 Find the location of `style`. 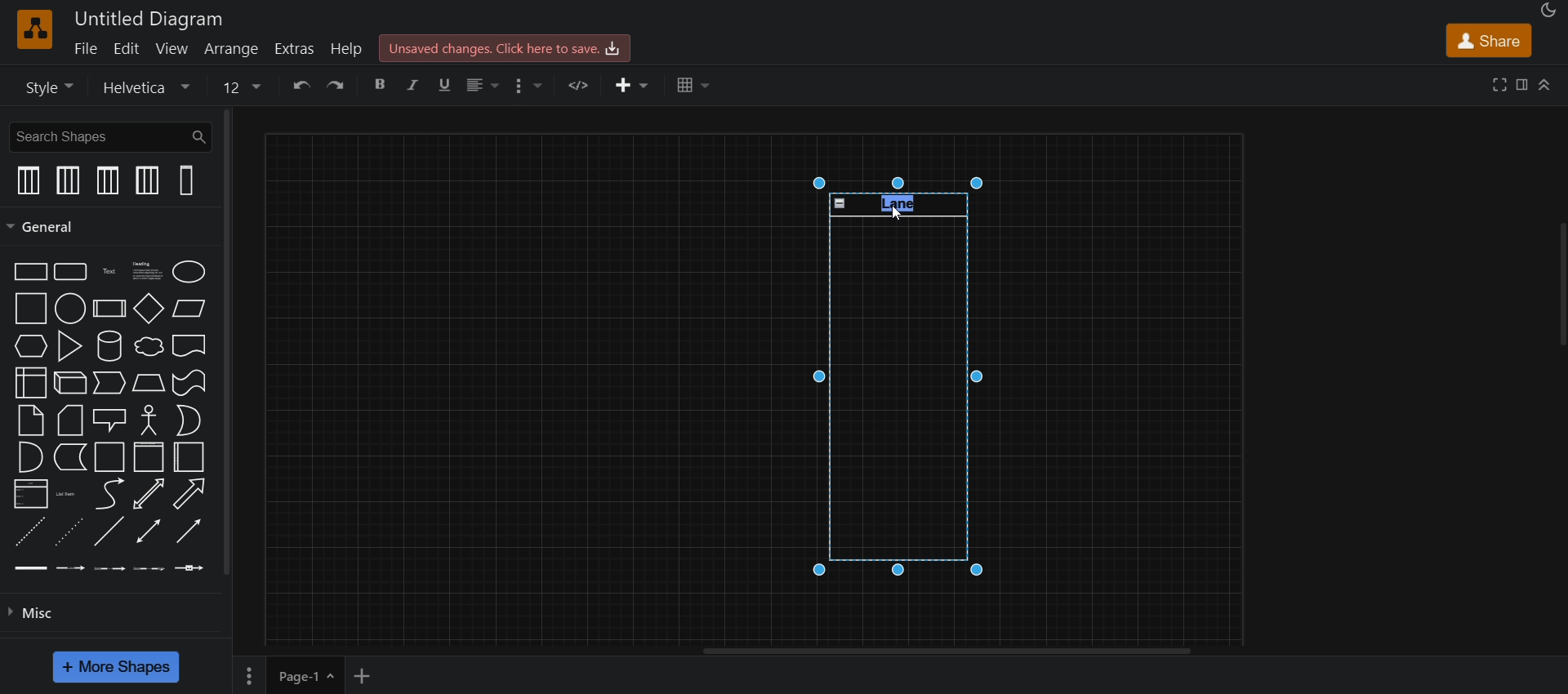

style is located at coordinates (49, 87).